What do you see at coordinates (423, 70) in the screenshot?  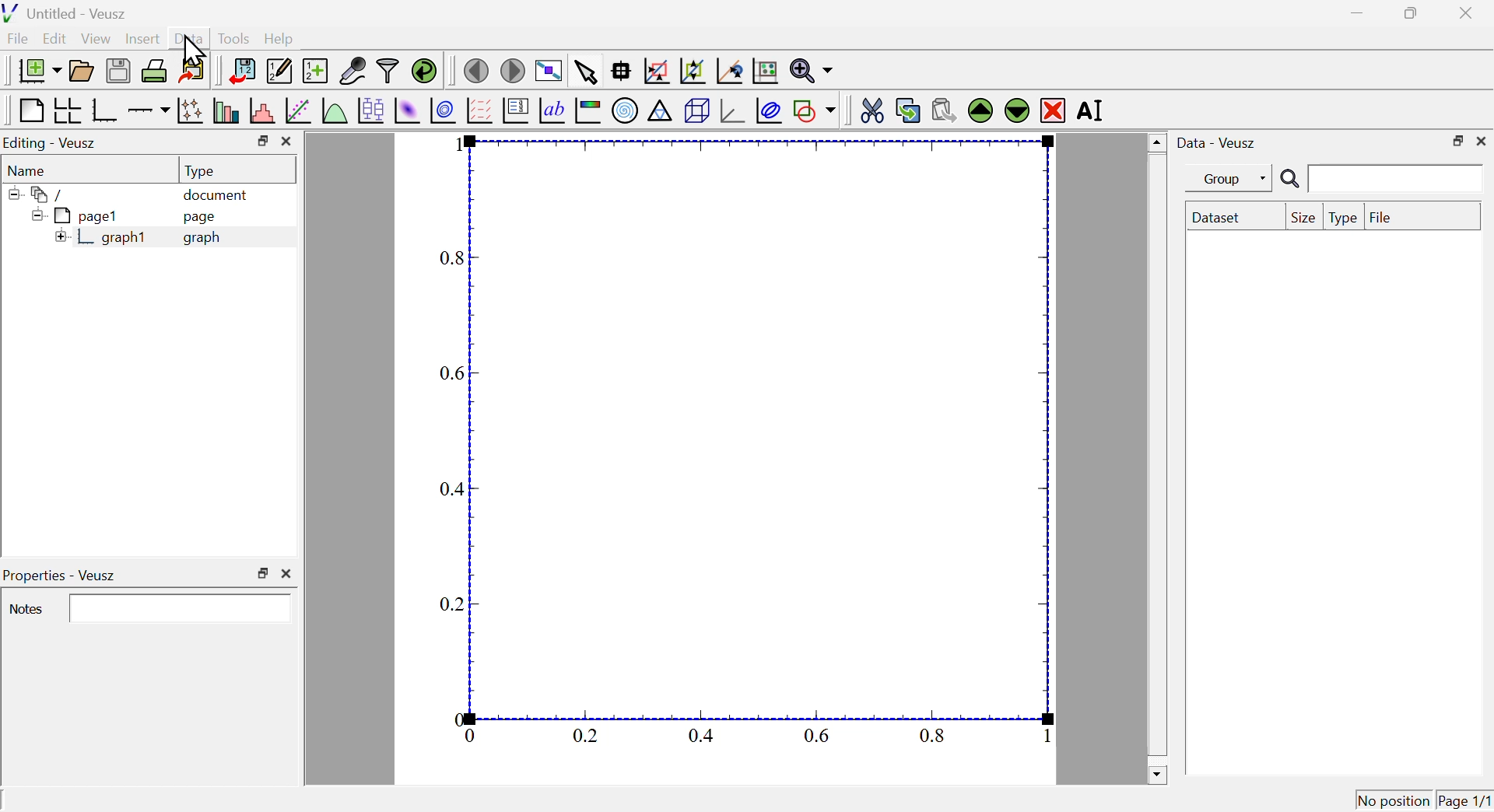 I see `reload linked datasets` at bounding box center [423, 70].